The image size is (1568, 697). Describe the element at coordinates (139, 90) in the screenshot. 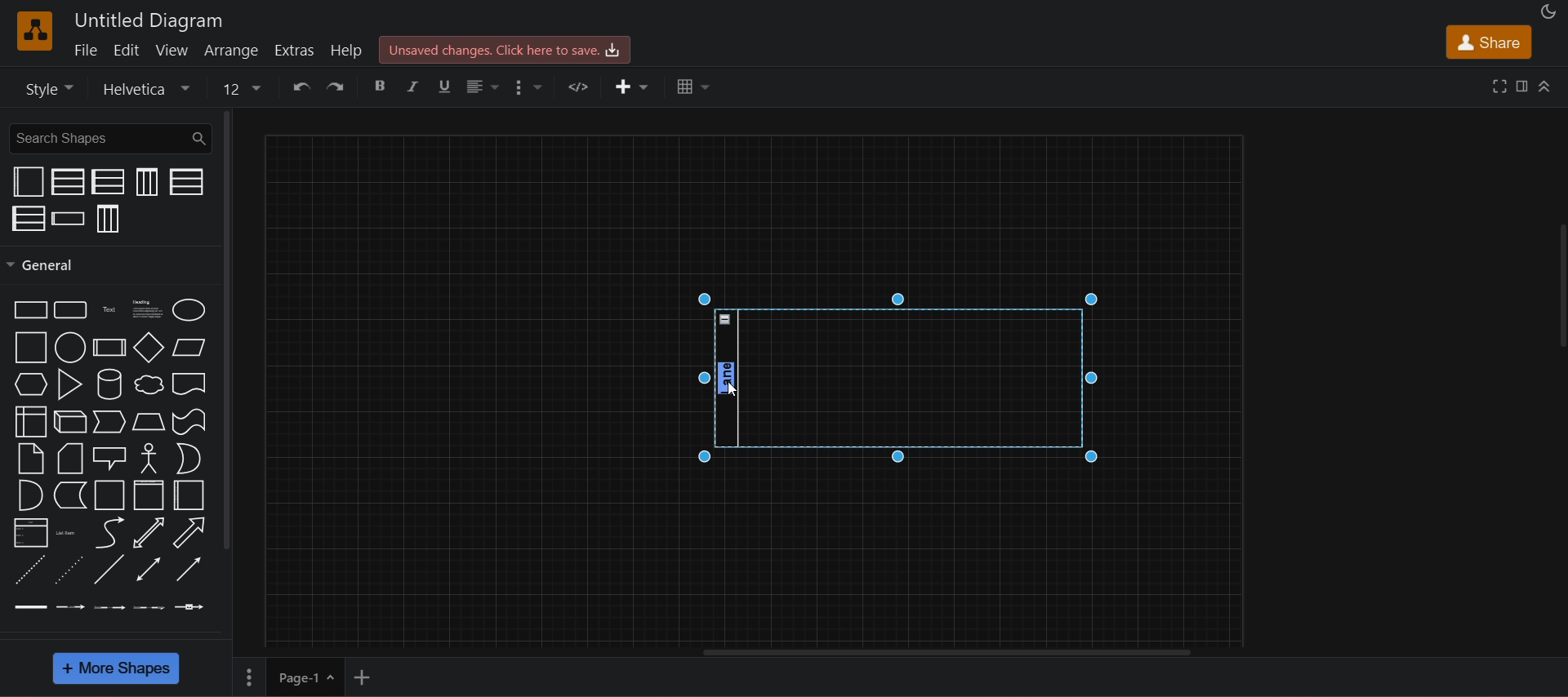

I see `helvetica` at that location.